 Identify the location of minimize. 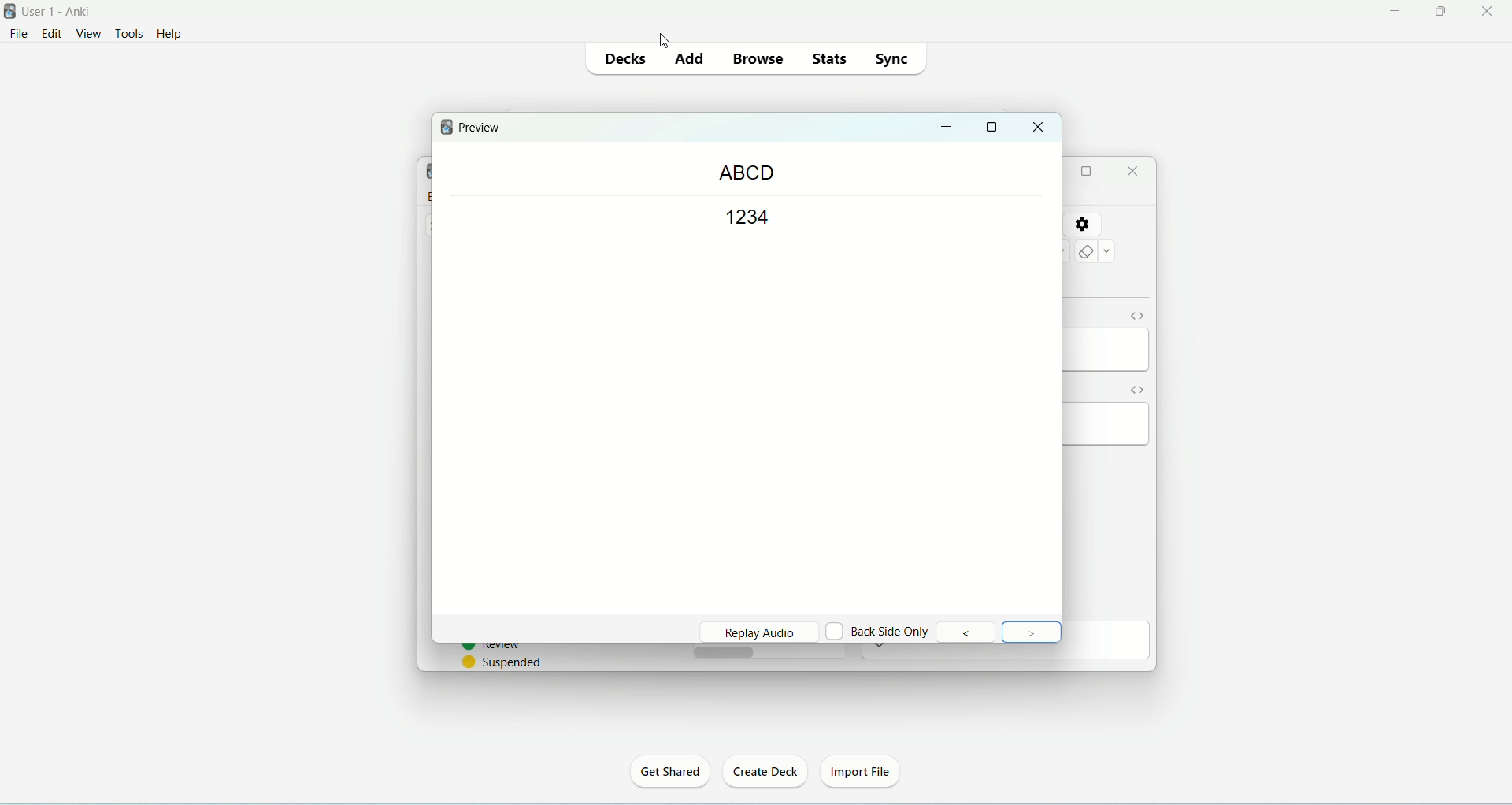
(1395, 12).